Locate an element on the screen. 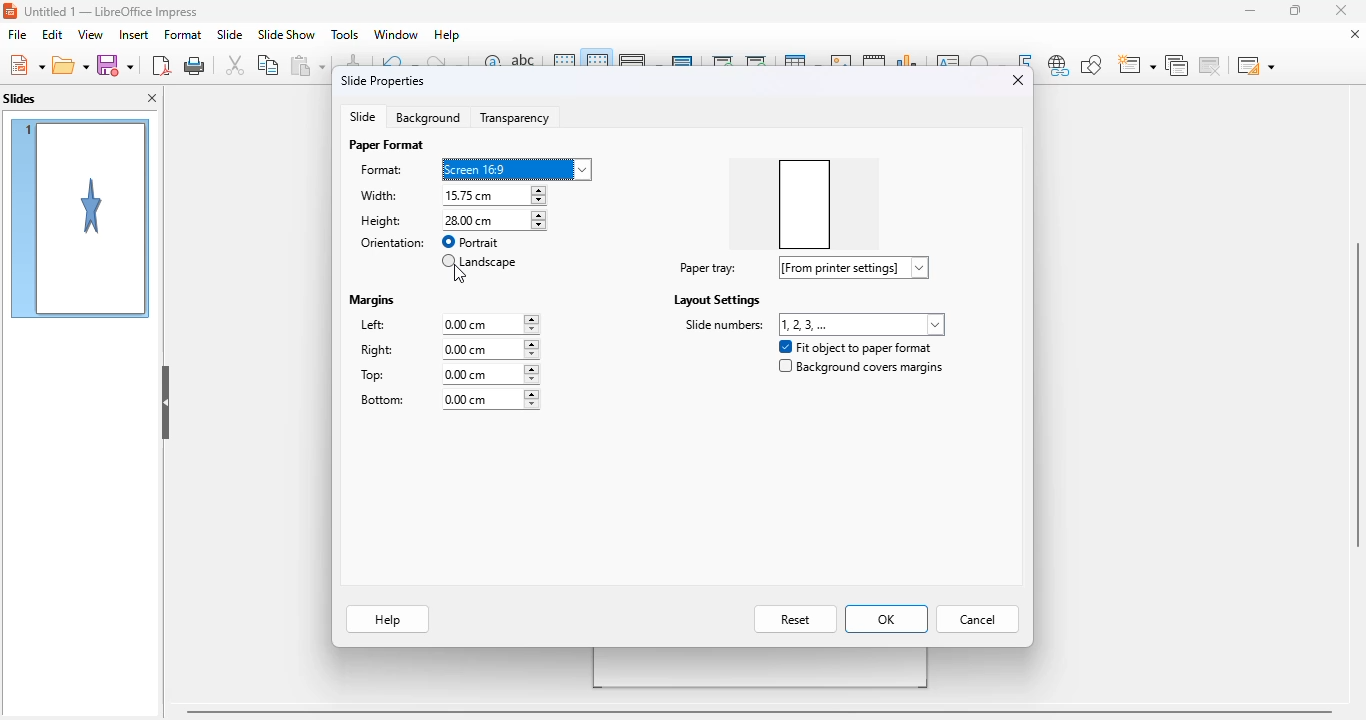 This screenshot has height=720, width=1366. file is located at coordinates (18, 34).